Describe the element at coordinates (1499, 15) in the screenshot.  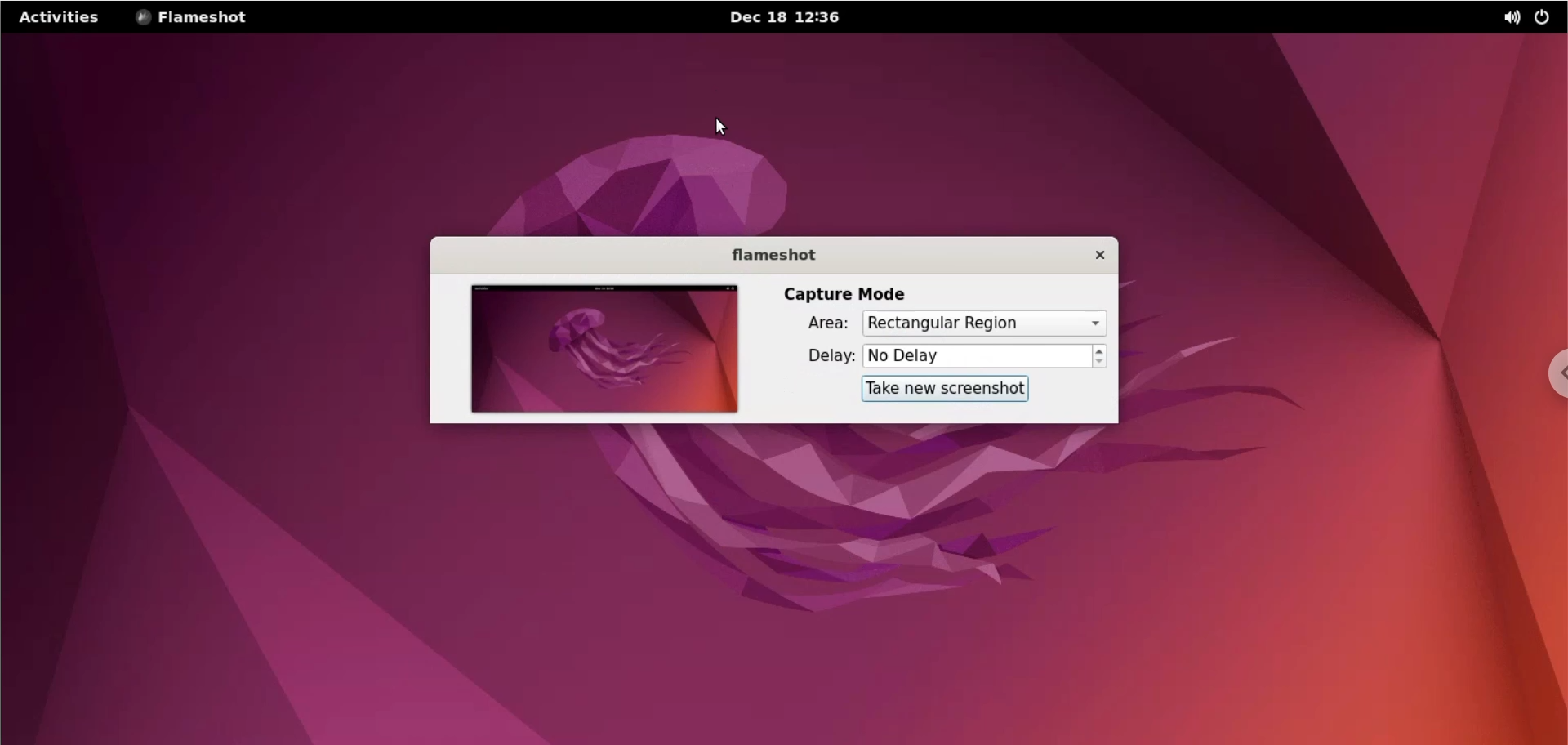
I see `sound settings menu` at that location.